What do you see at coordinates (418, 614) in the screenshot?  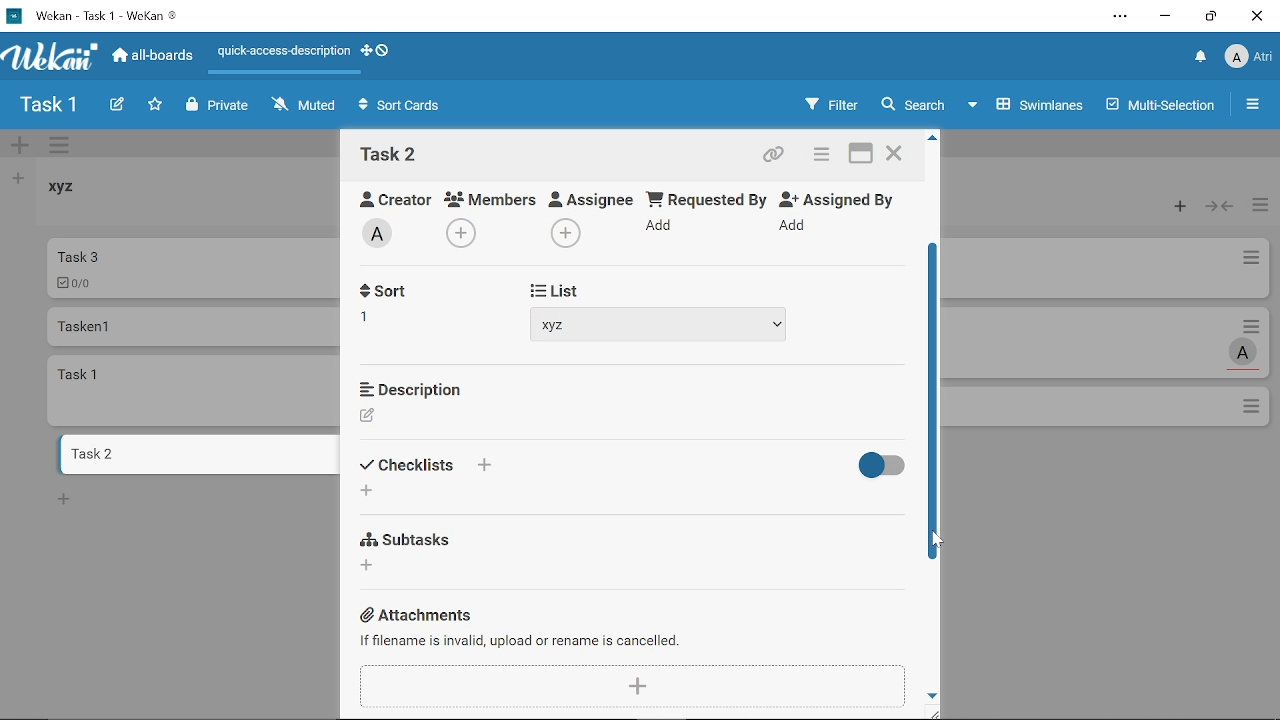 I see `Attachments` at bounding box center [418, 614].